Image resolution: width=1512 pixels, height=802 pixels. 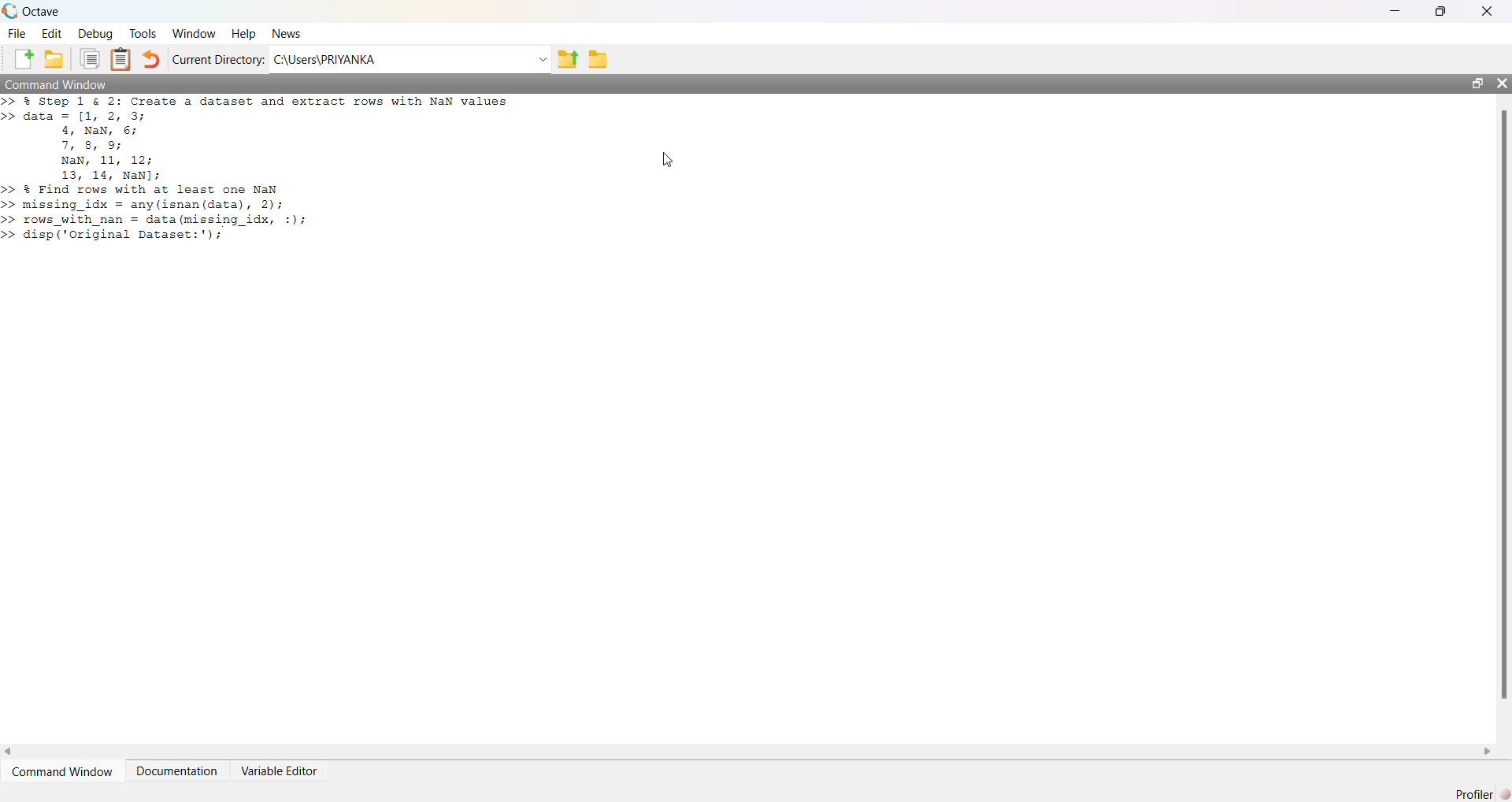 What do you see at coordinates (54, 59) in the screenshot?
I see `New Folder` at bounding box center [54, 59].